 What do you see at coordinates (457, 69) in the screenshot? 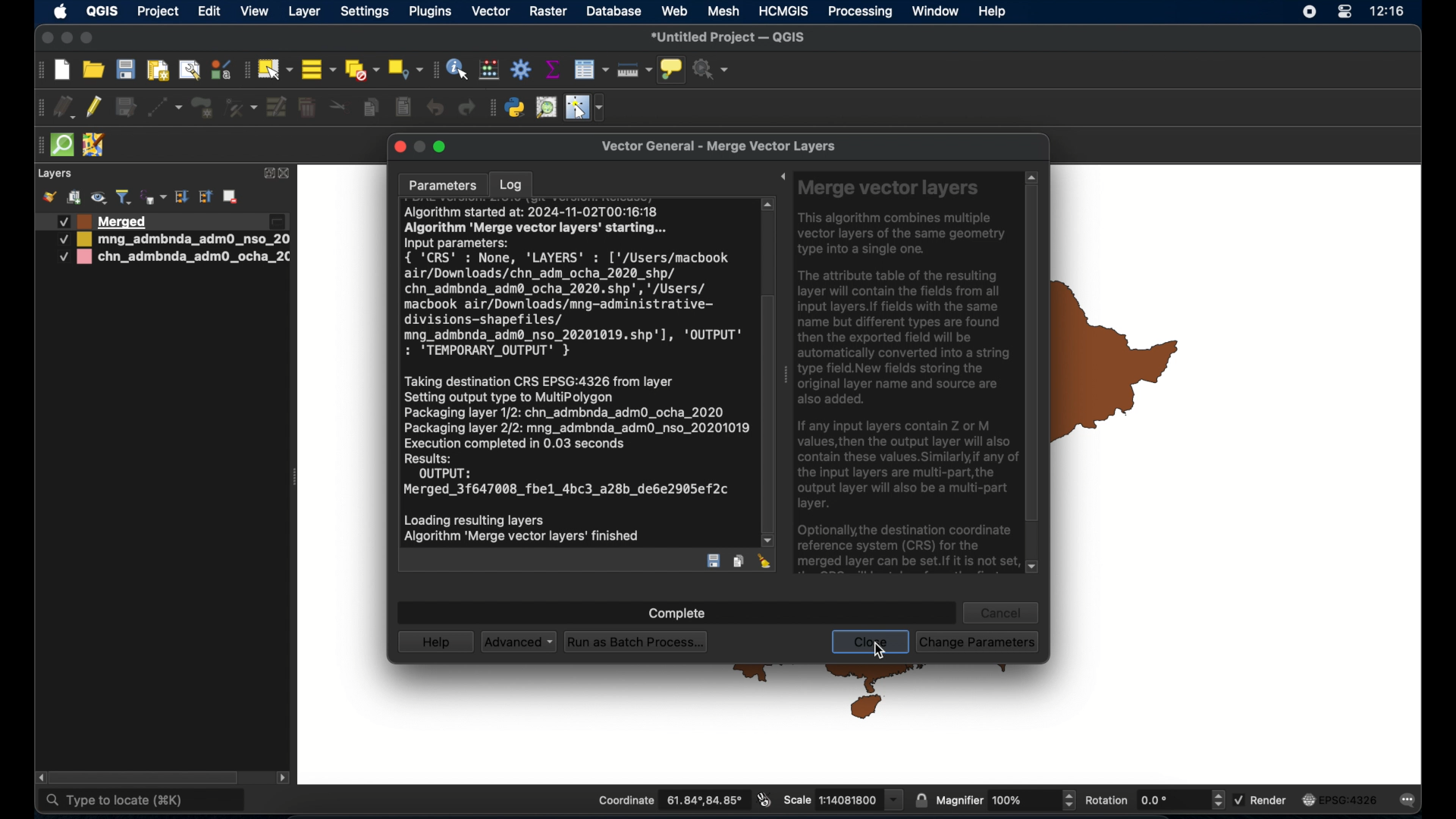
I see `identify features` at bounding box center [457, 69].